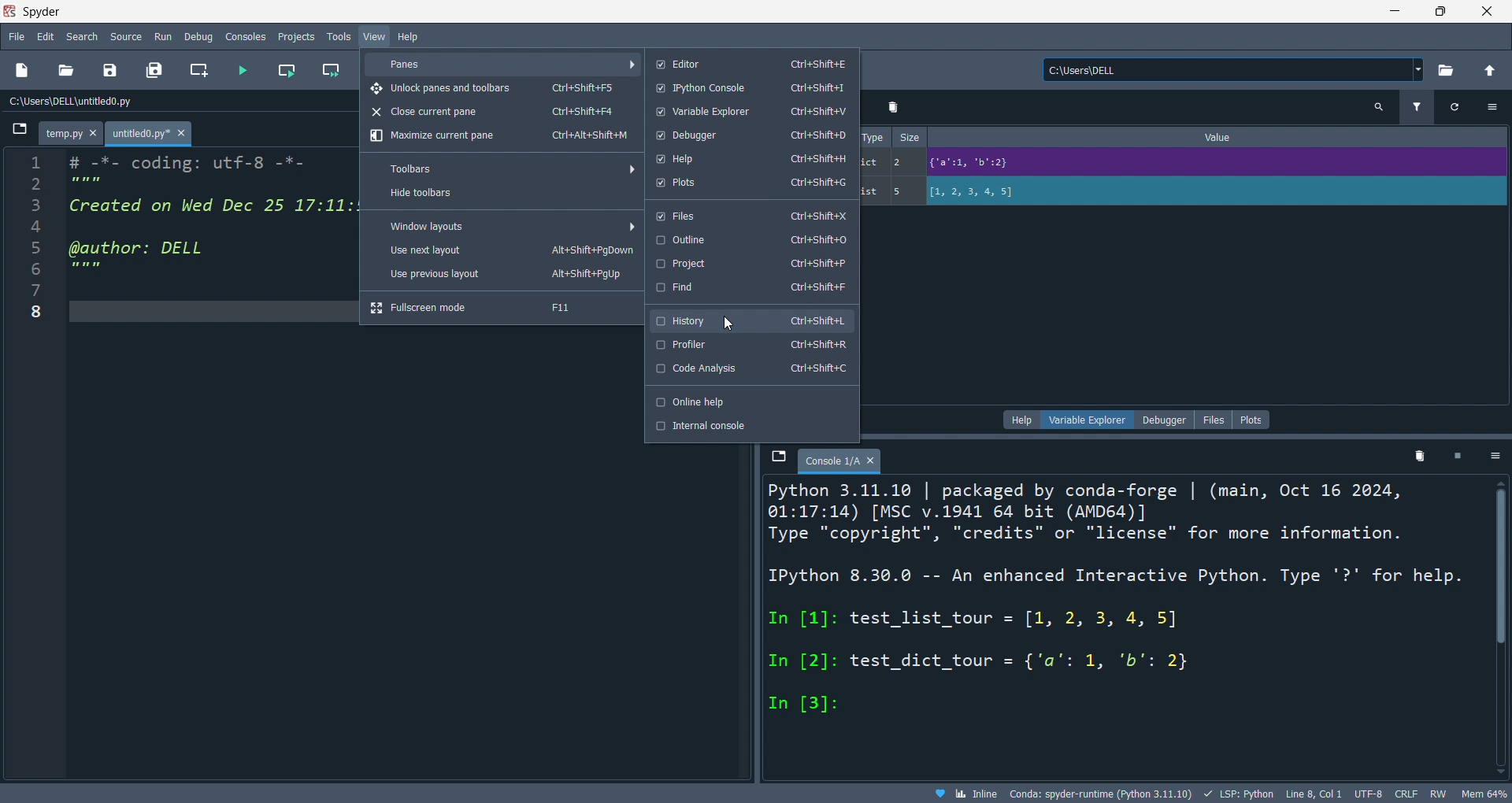 This screenshot has width=1512, height=803. What do you see at coordinates (496, 113) in the screenshot?
I see `close current pane` at bounding box center [496, 113].